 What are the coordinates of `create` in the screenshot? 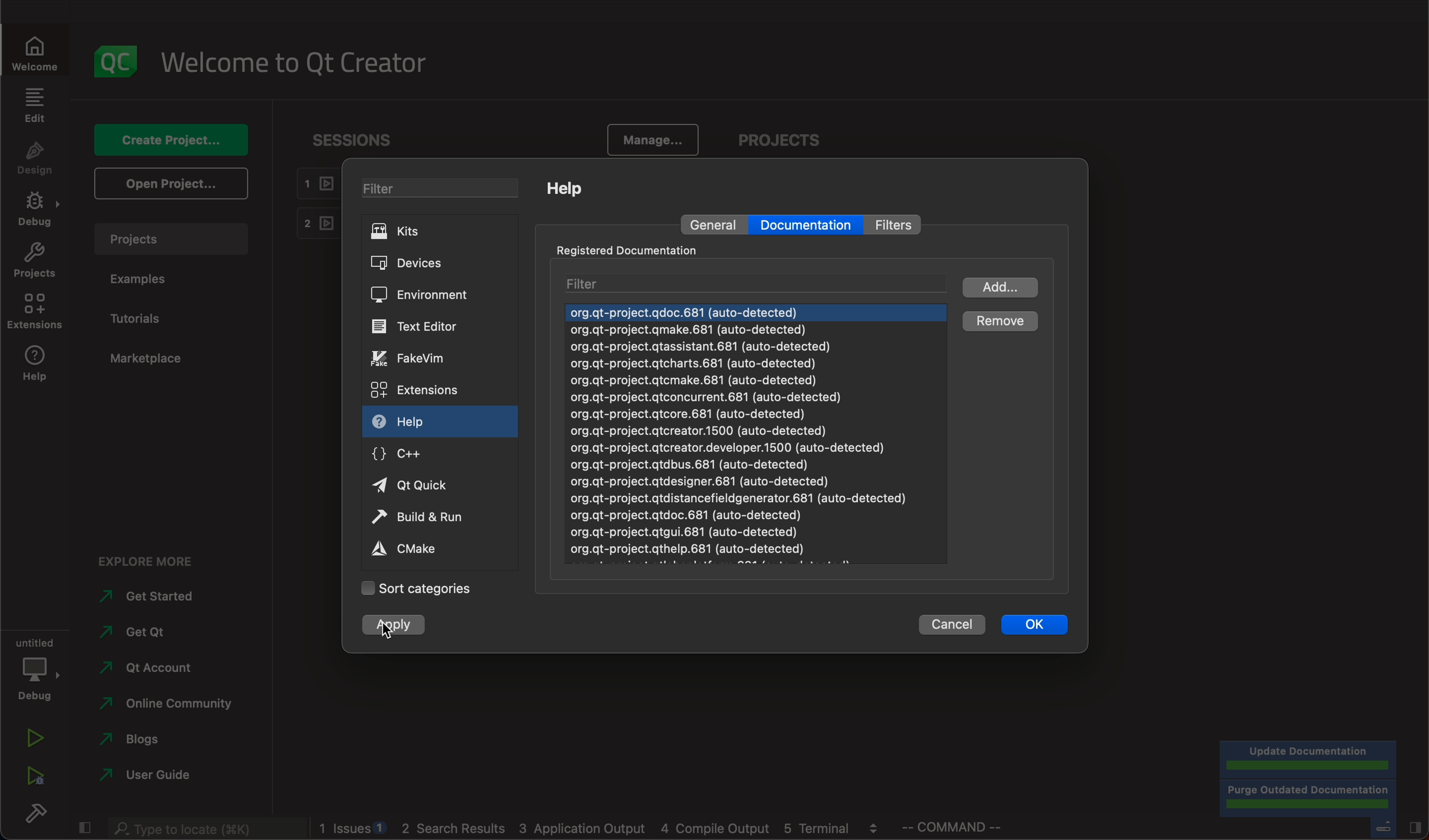 It's located at (173, 140).